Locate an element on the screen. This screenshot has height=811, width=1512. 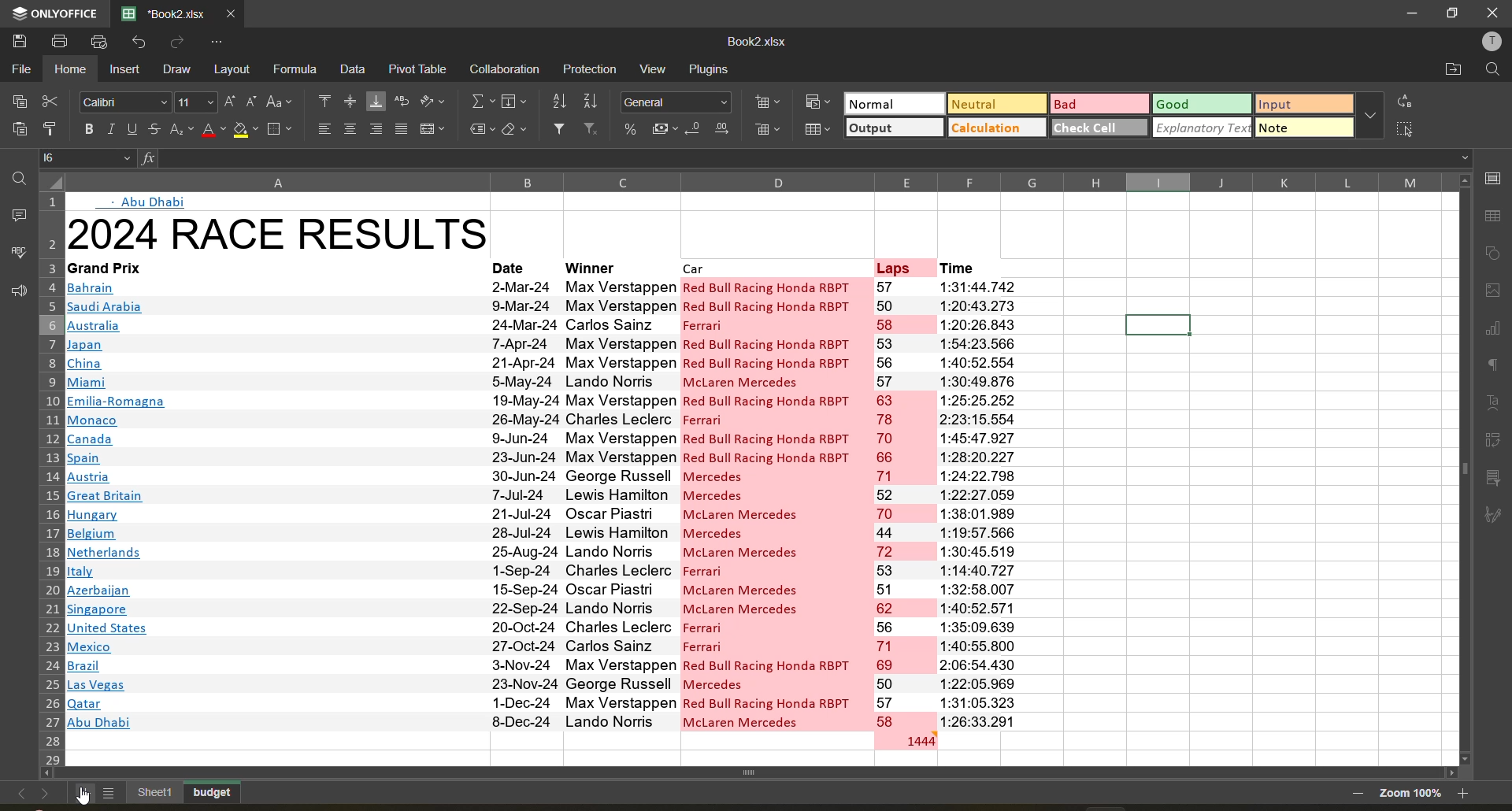
paragraph is located at coordinates (1494, 369).